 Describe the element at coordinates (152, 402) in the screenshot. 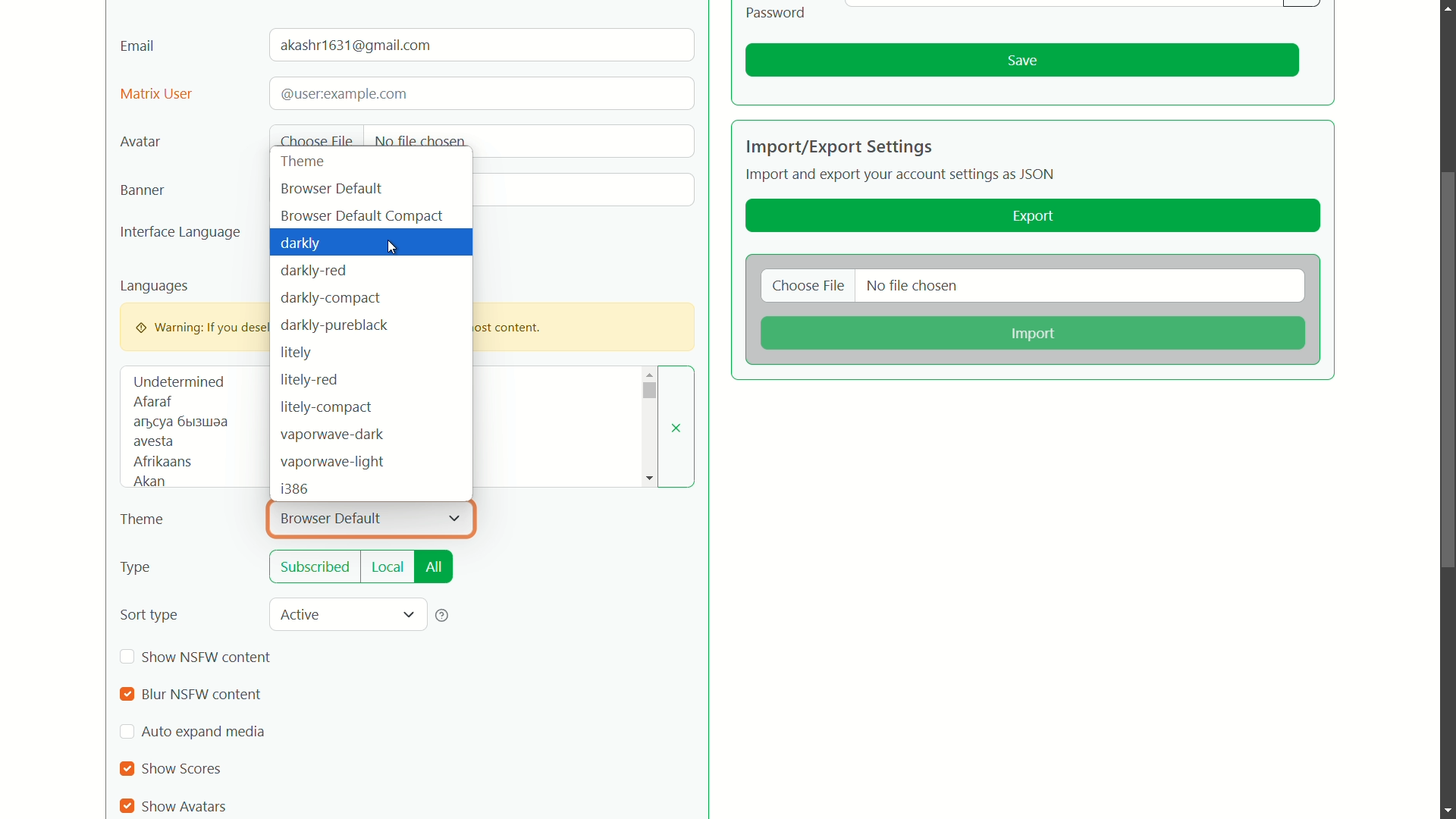

I see `afaraf` at that location.